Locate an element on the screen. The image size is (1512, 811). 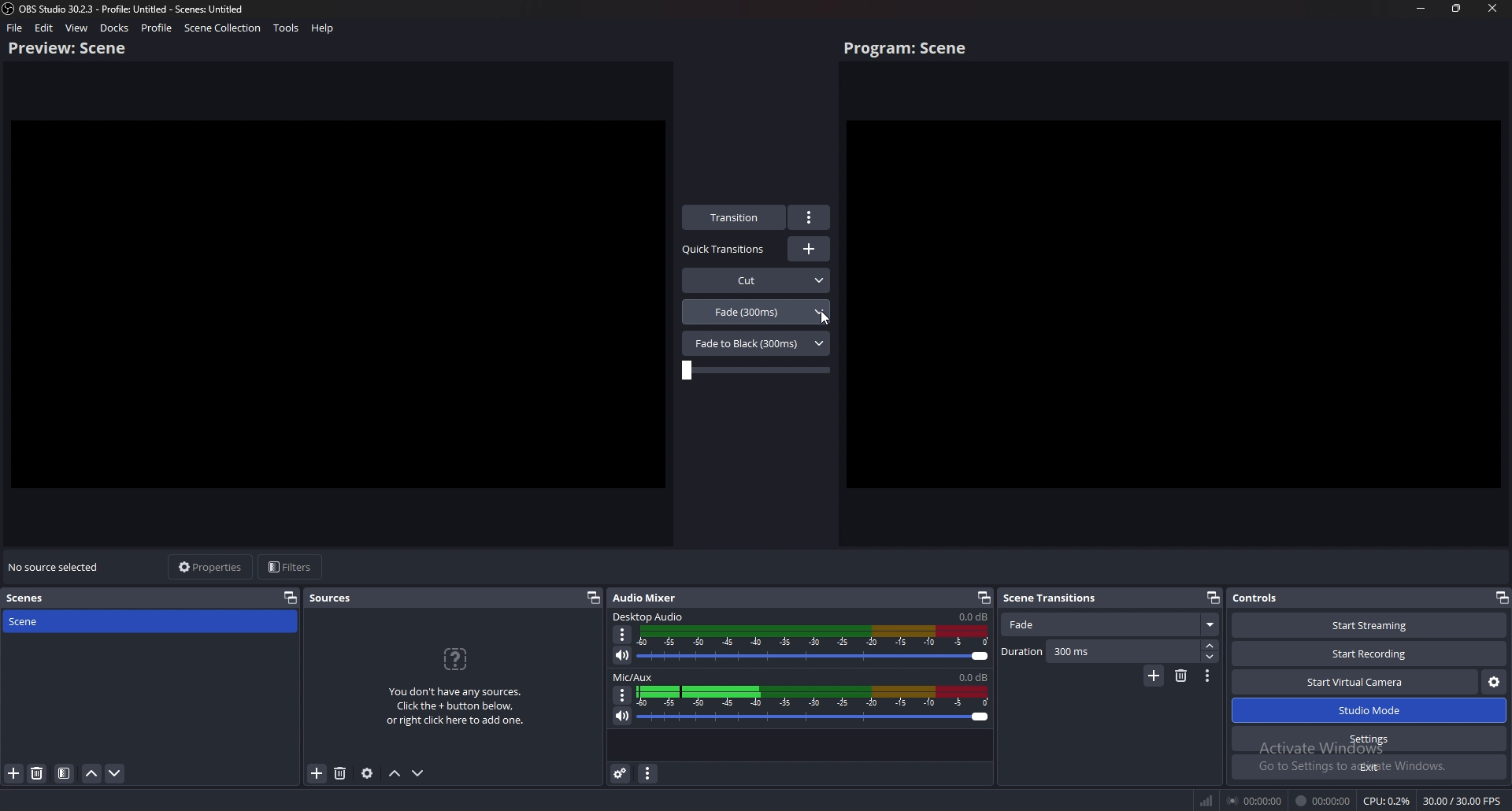
Pop out is located at coordinates (1213, 597).